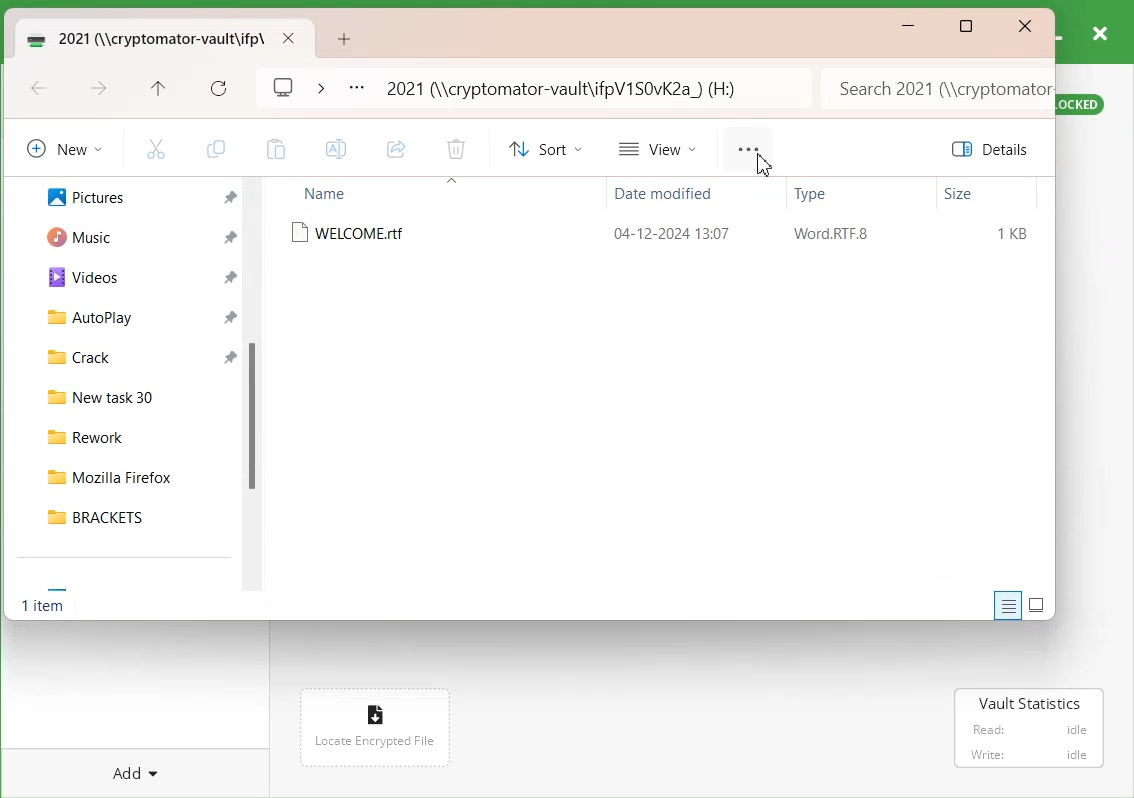 The image size is (1134, 798). What do you see at coordinates (136, 38) in the screenshot?
I see `Vault Folder` at bounding box center [136, 38].